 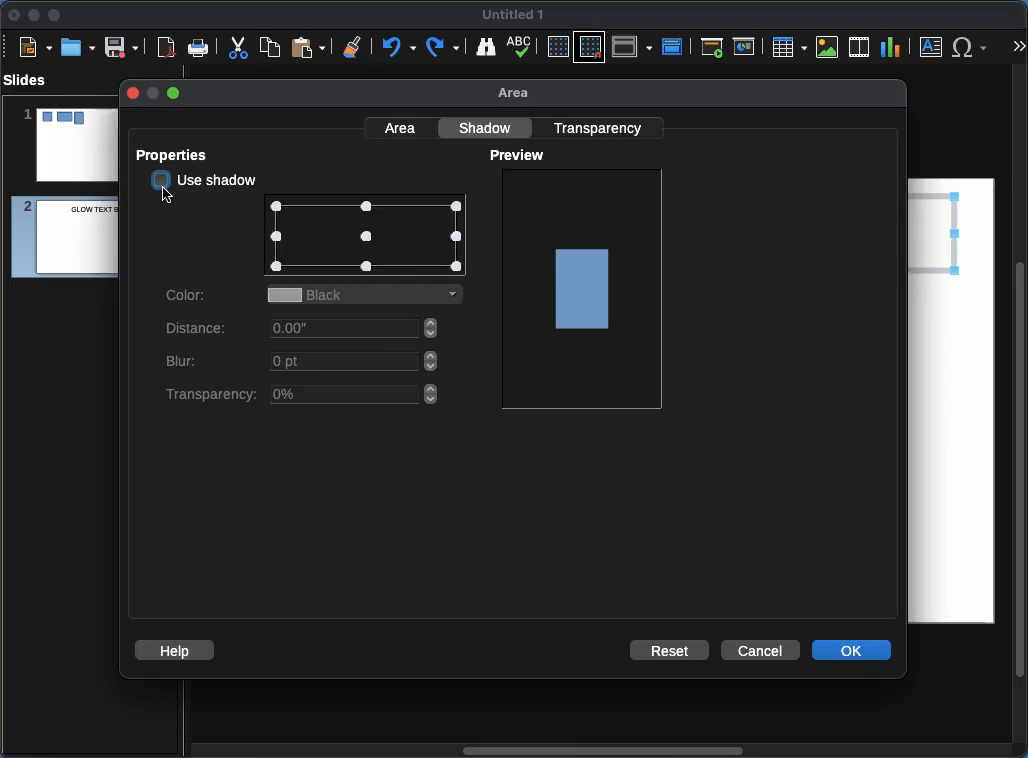 What do you see at coordinates (828, 47) in the screenshot?
I see `Image` at bounding box center [828, 47].